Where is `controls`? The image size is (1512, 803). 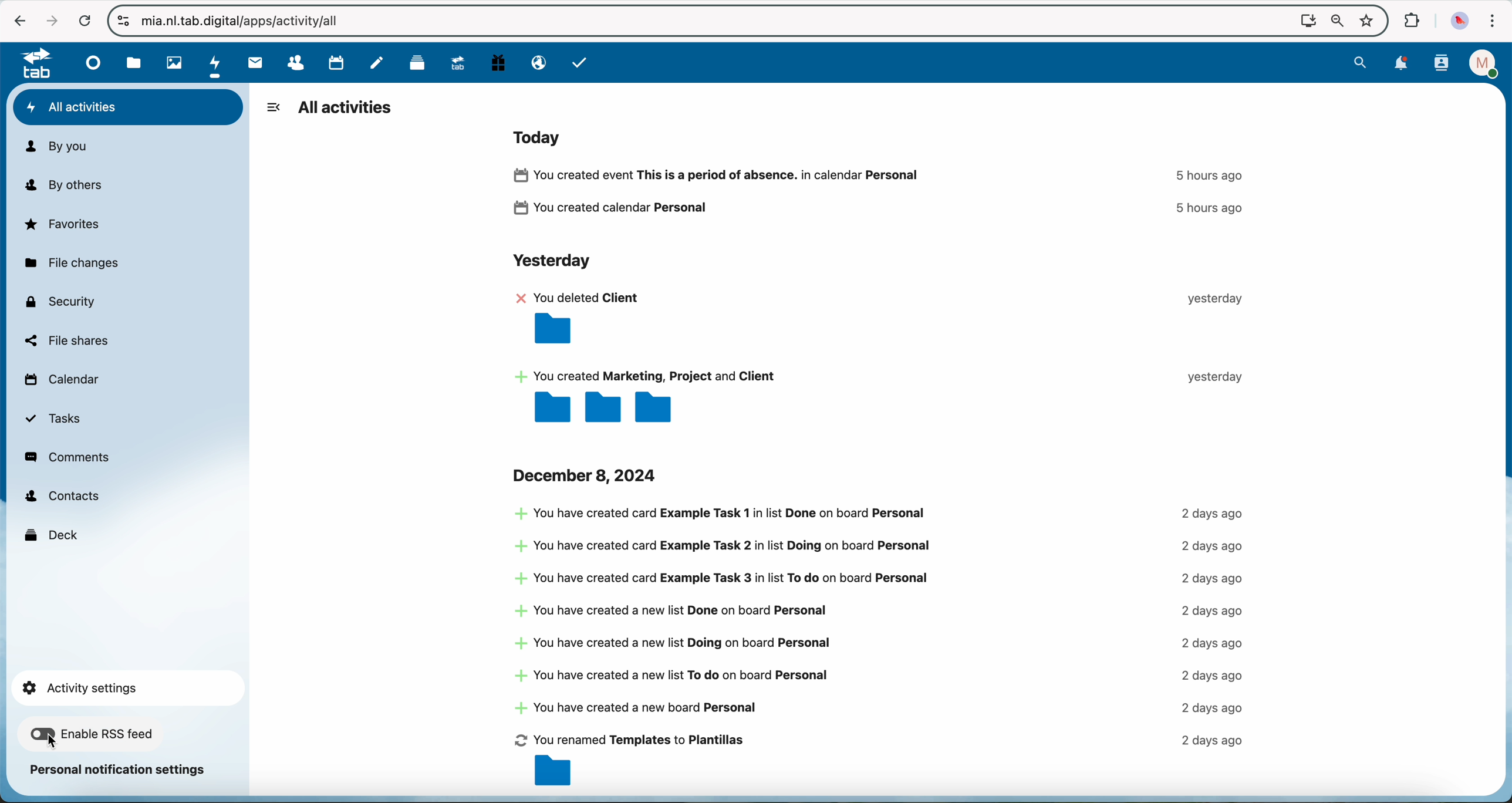
controls is located at coordinates (123, 21).